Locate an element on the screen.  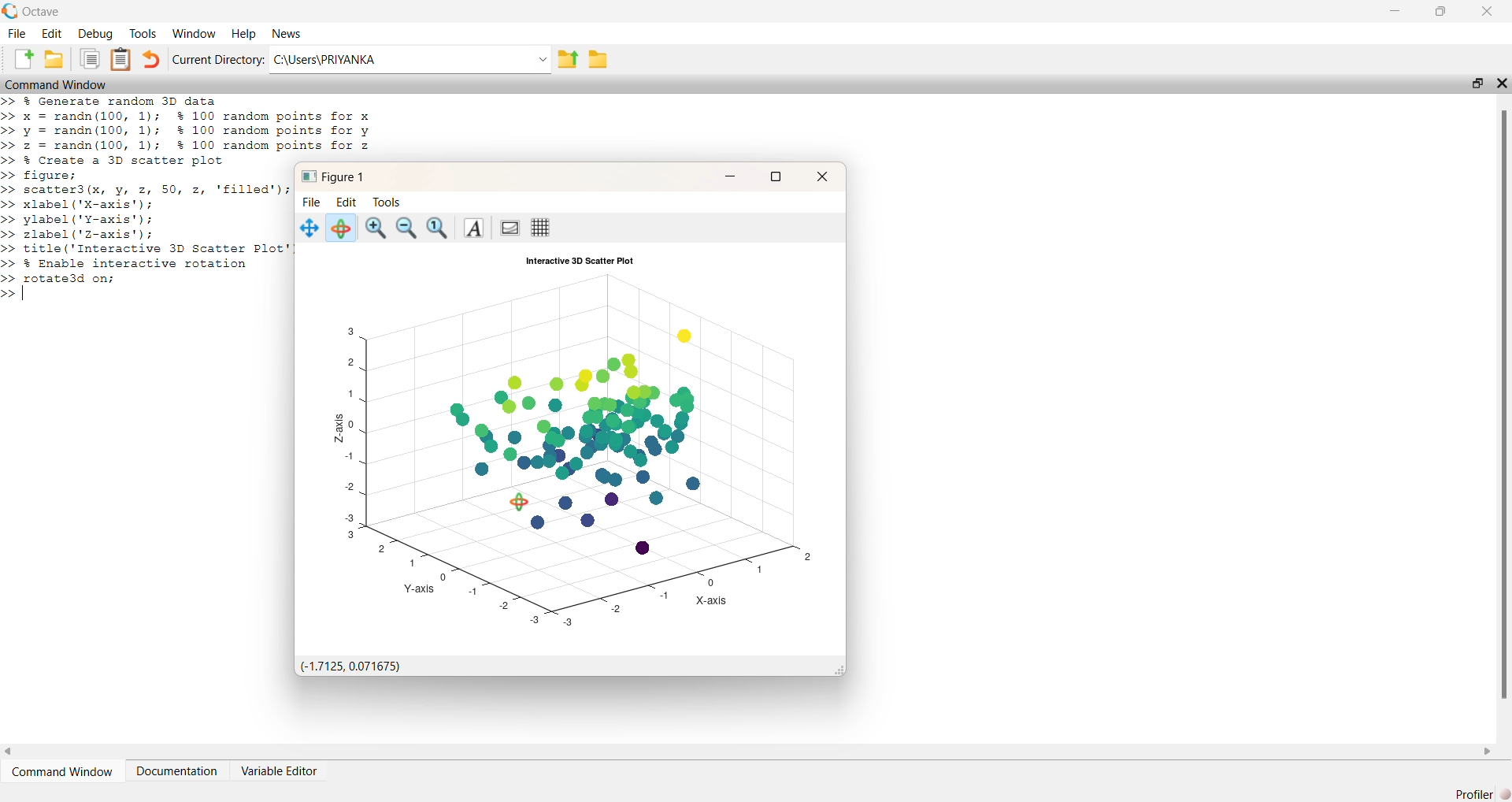
scroll left is located at coordinates (9, 752).